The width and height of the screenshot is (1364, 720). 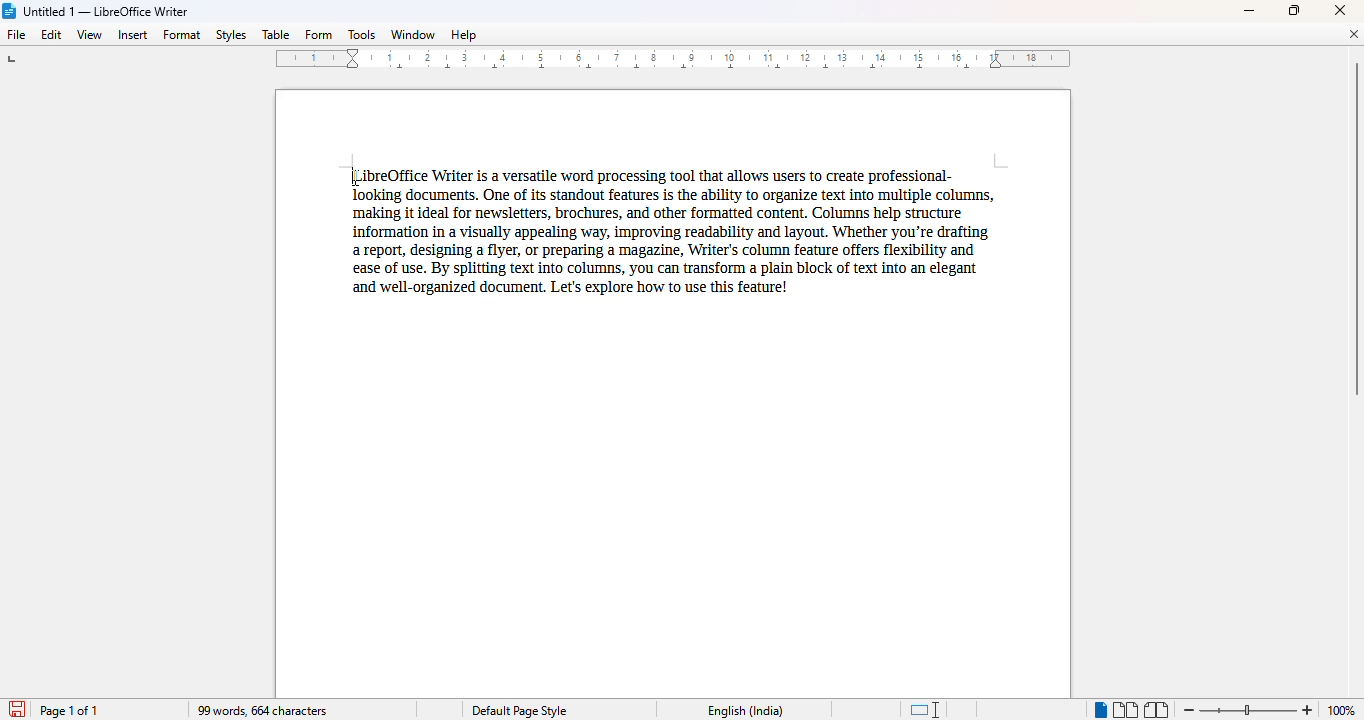 I want to click on minimize, so click(x=1249, y=12).